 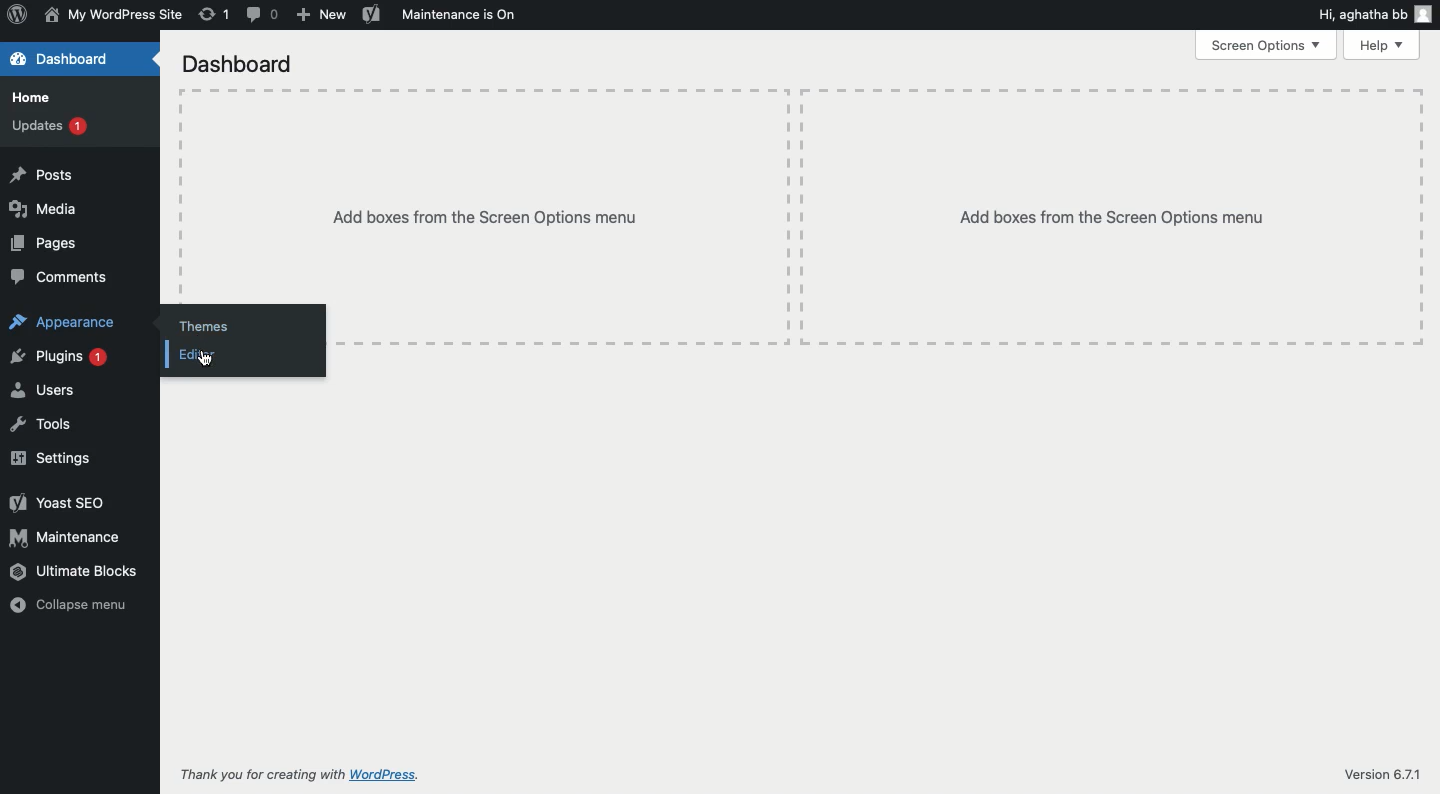 What do you see at coordinates (1266, 45) in the screenshot?
I see `Screen options` at bounding box center [1266, 45].